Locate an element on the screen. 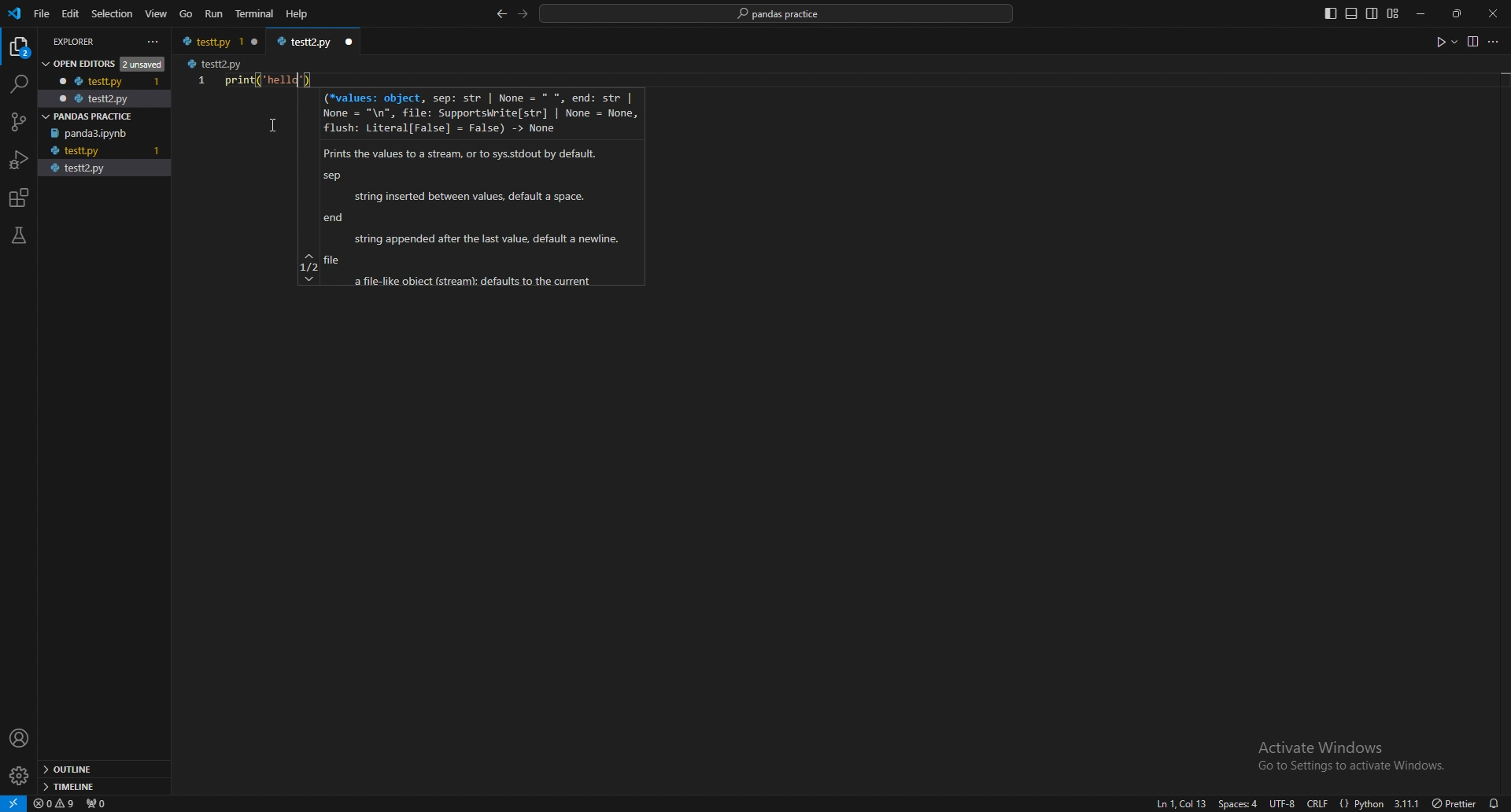 The height and width of the screenshot is (812, 1511). testt2.py is located at coordinates (94, 98).